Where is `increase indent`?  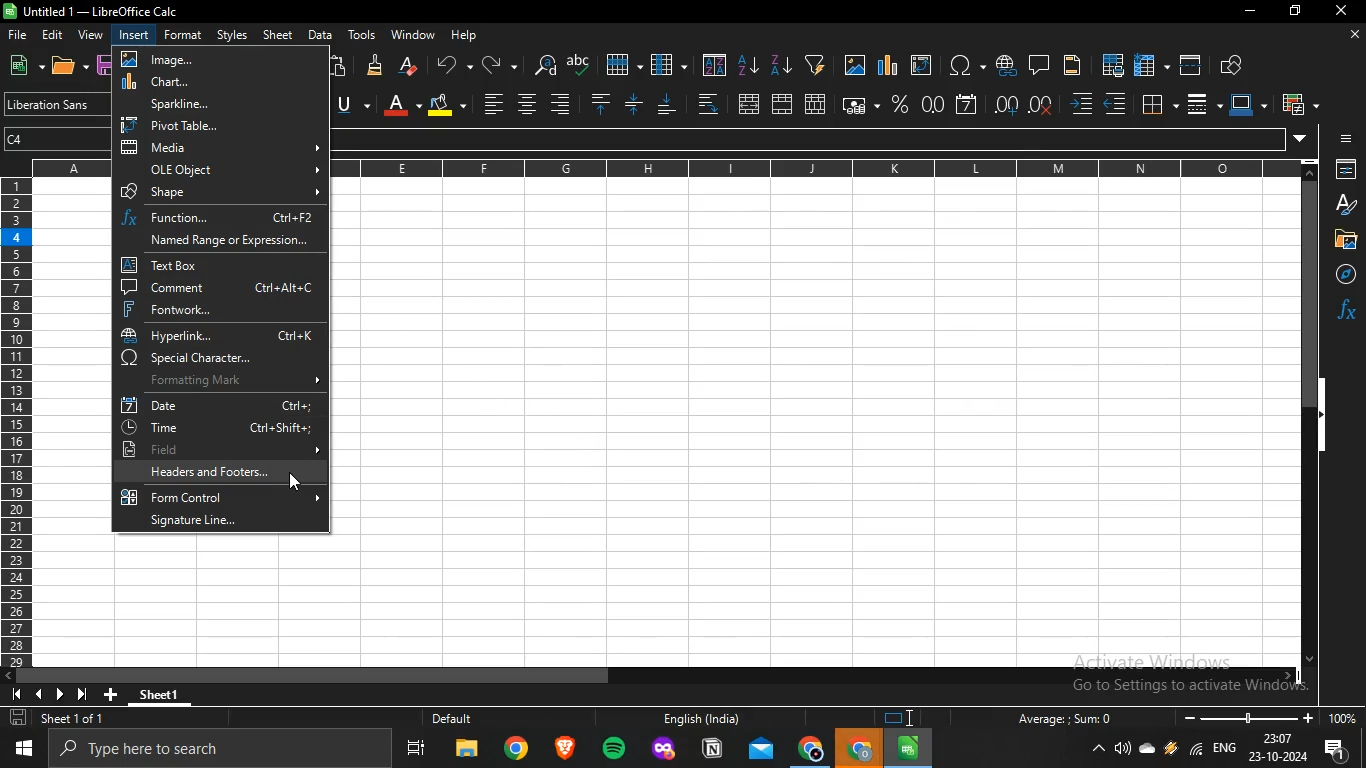
increase indent is located at coordinates (1082, 105).